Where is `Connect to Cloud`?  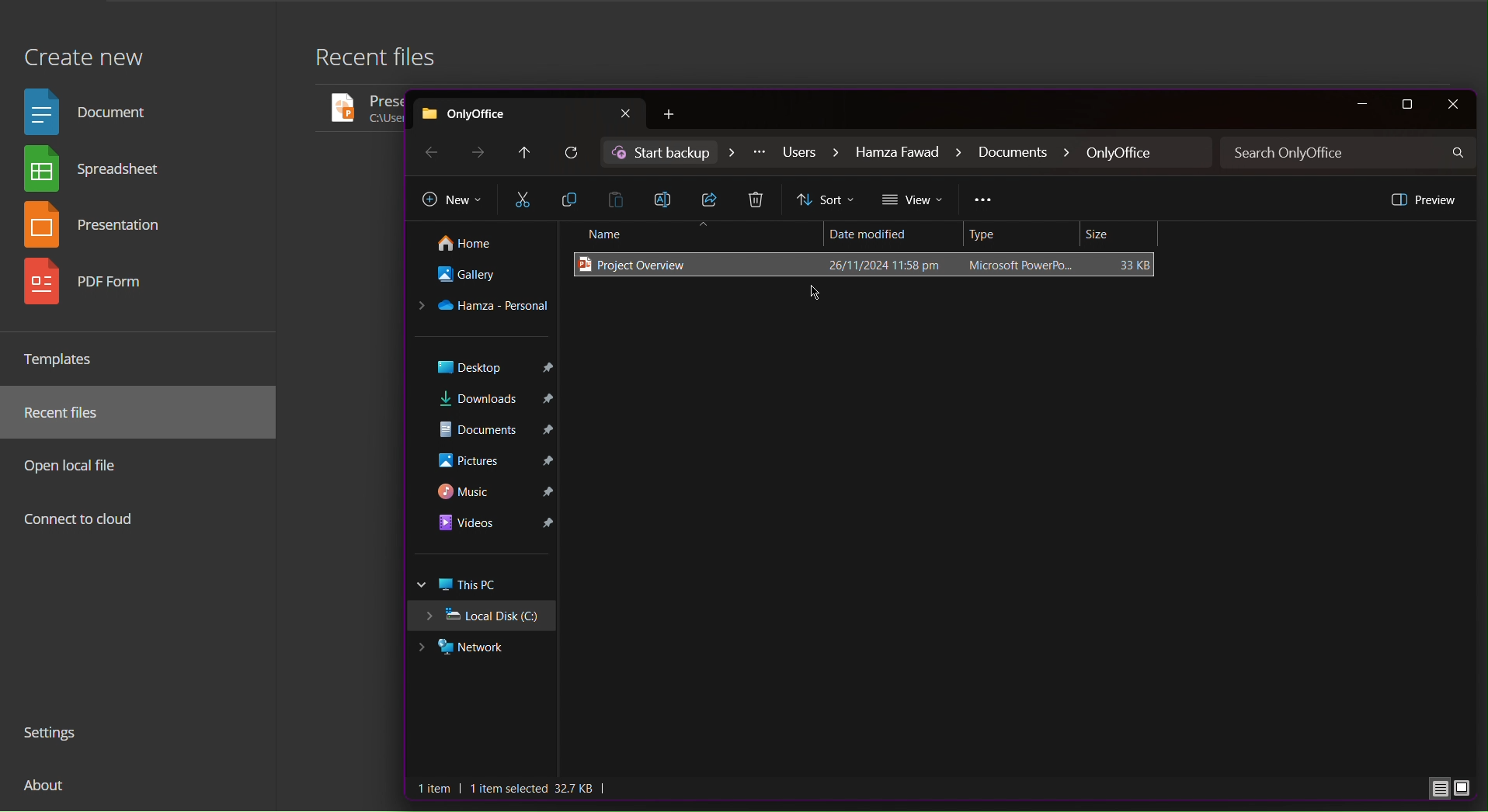 Connect to Cloud is located at coordinates (80, 521).